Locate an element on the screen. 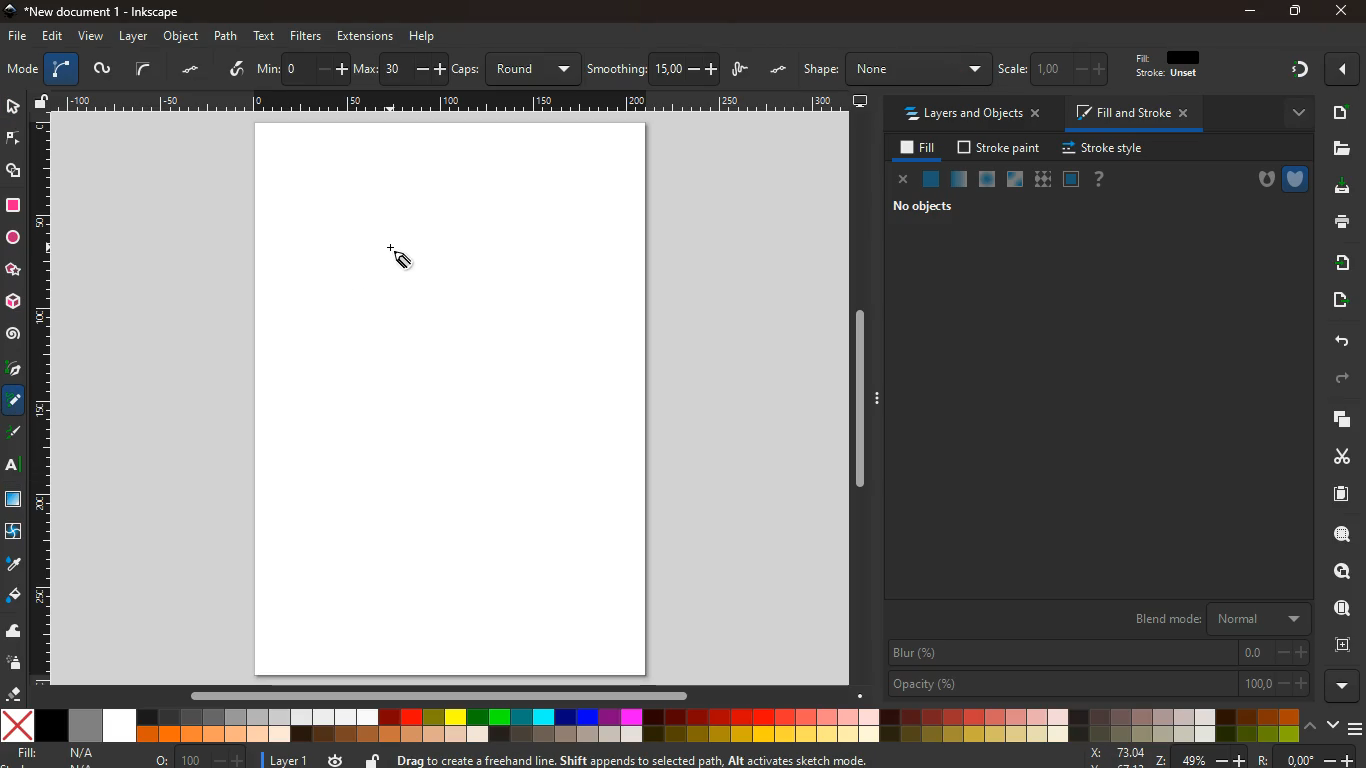 The width and height of the screenshot is (1366, 768). close is located at coordinates (1340, 12).